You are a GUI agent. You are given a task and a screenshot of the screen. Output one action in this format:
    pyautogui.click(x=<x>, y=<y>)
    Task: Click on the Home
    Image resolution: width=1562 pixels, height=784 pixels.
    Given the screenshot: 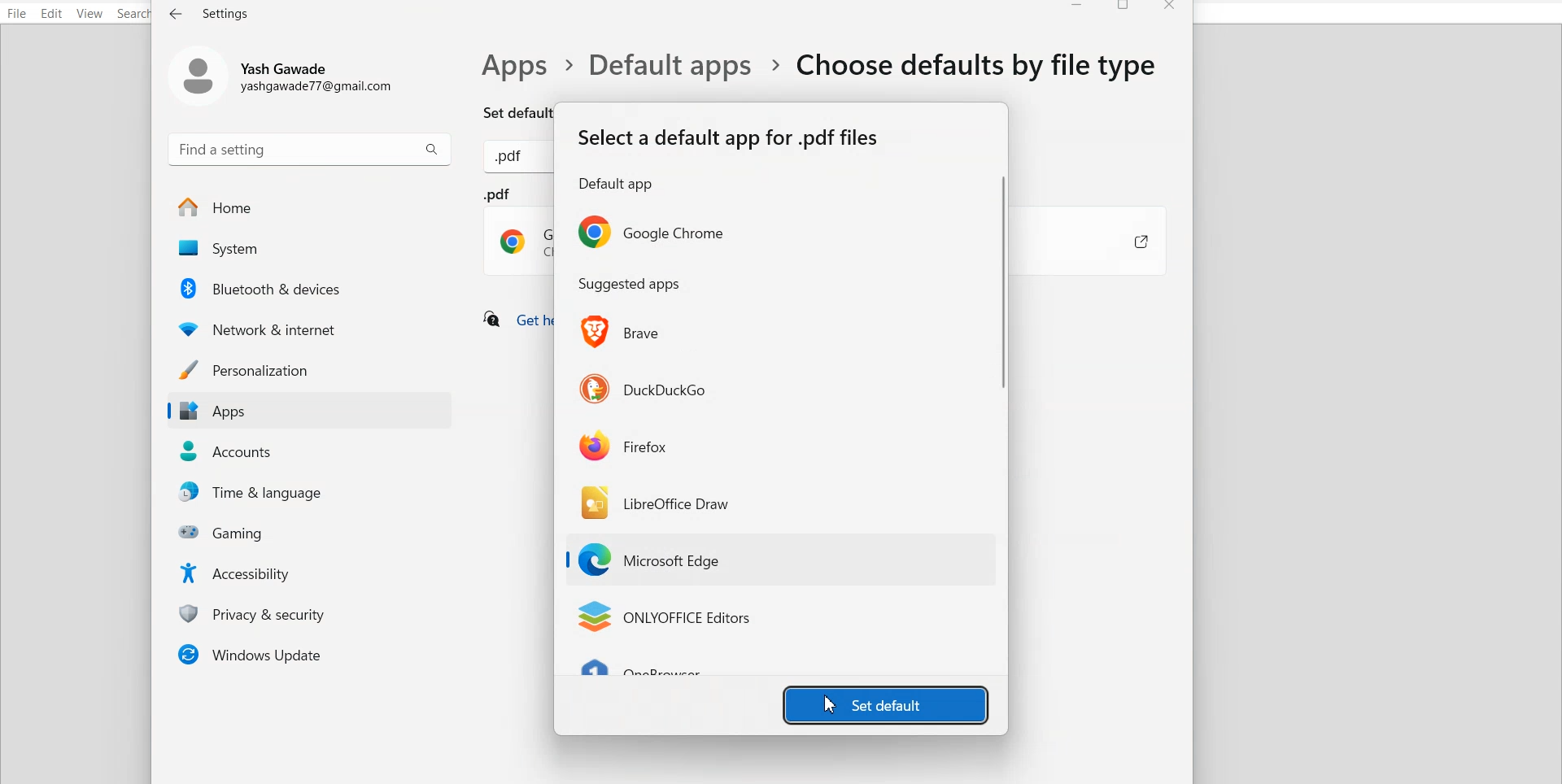 What is the action you would take?
    pyautogui.click(x=309, y=207)
    